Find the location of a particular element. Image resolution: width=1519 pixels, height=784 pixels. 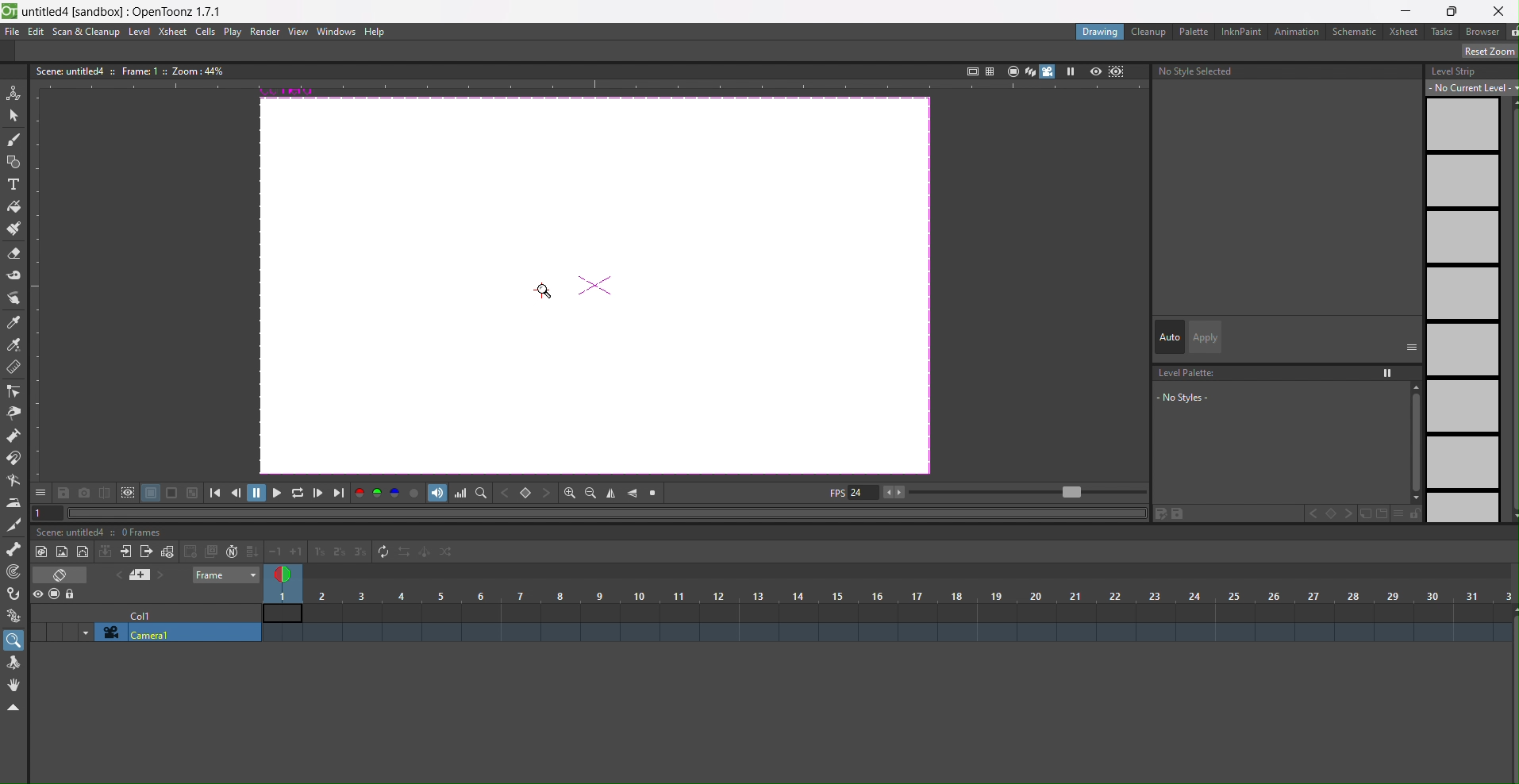

fps display is located at coordinates (852, 496).